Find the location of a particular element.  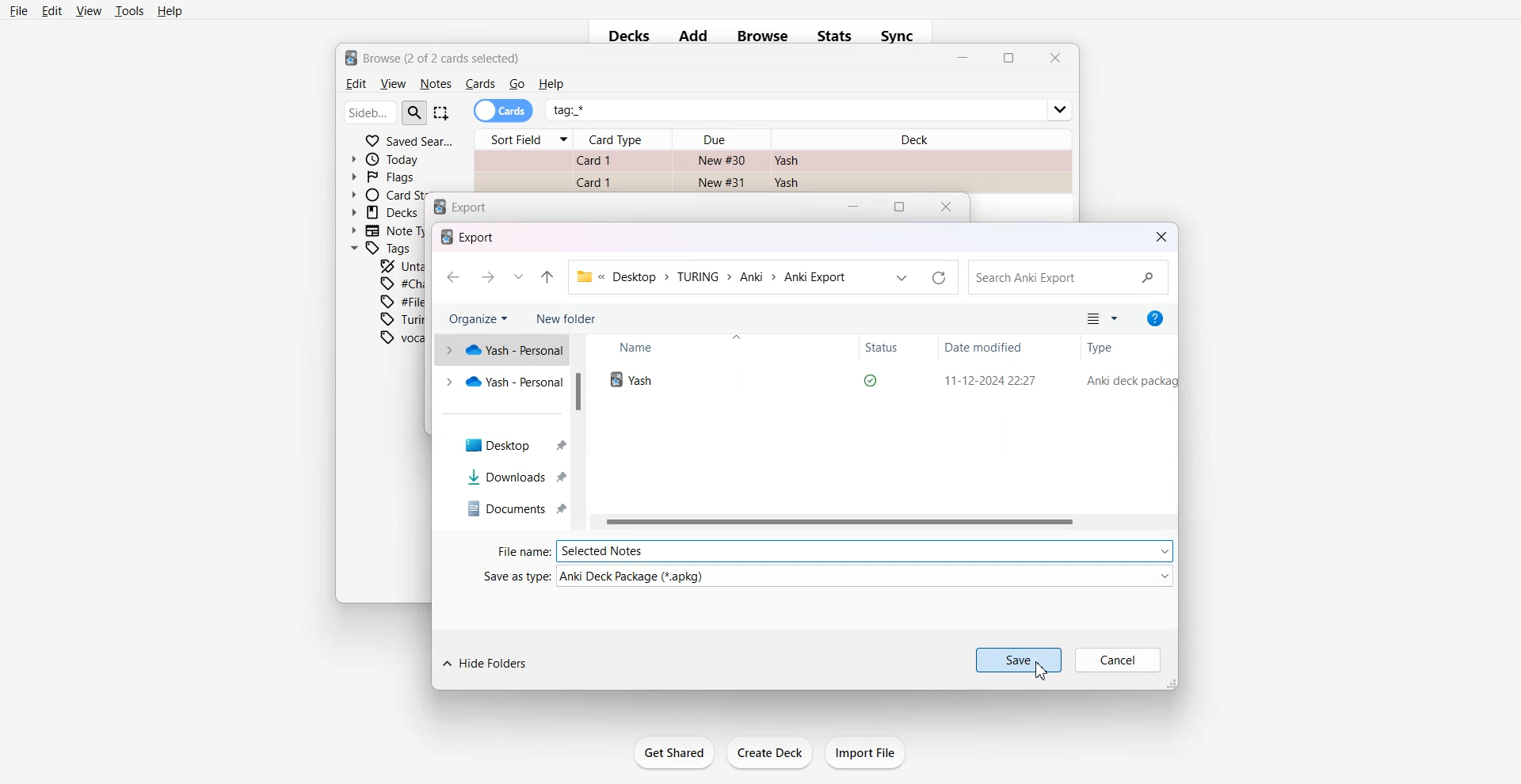

He is located at coordinates (551, 84).